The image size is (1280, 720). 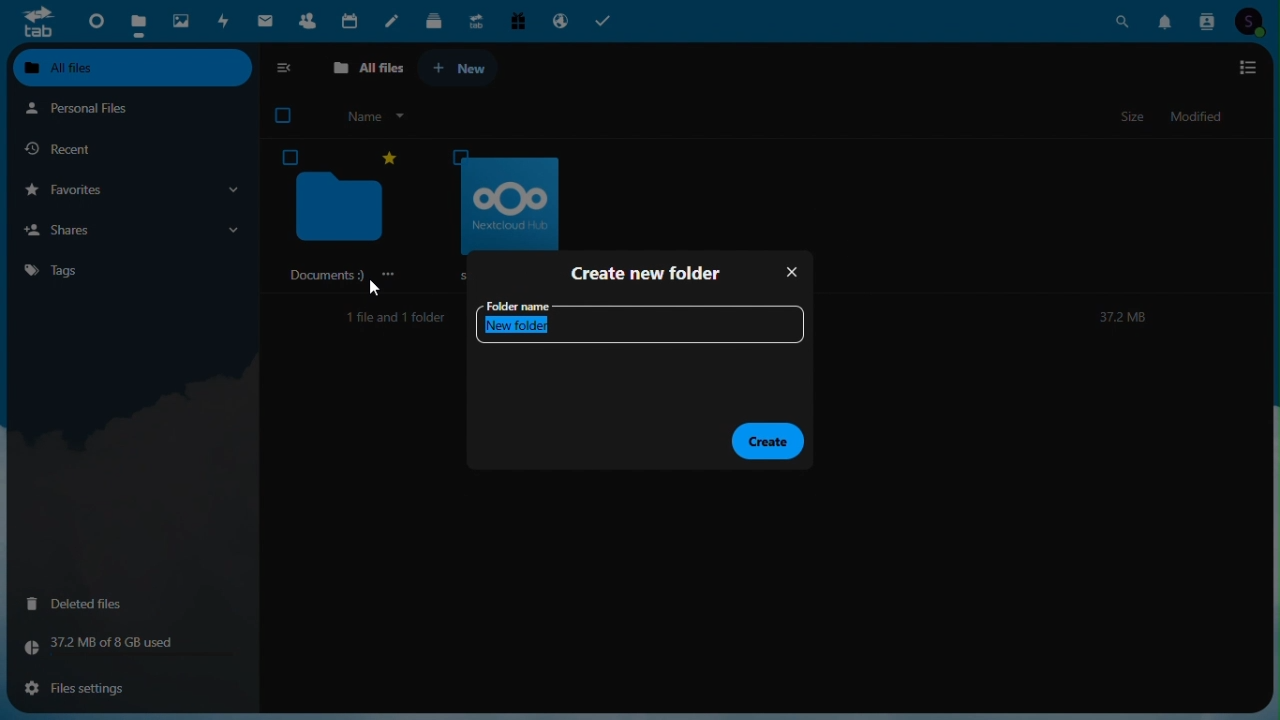 I want to click on File settings, so click(x=128, y=693).